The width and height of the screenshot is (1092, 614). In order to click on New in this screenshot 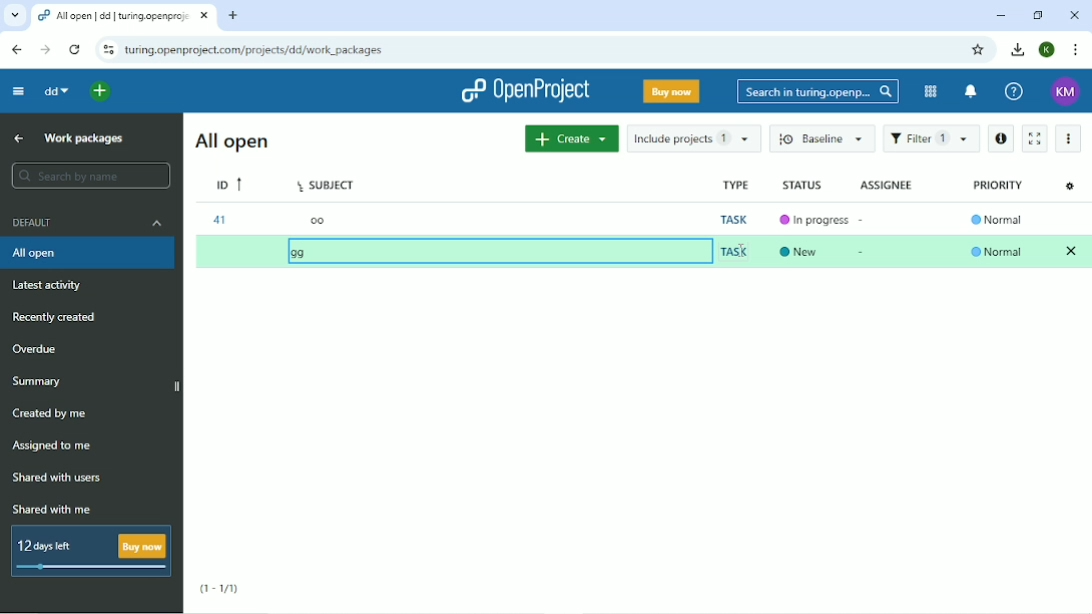, I will do `click(799, 250)`.